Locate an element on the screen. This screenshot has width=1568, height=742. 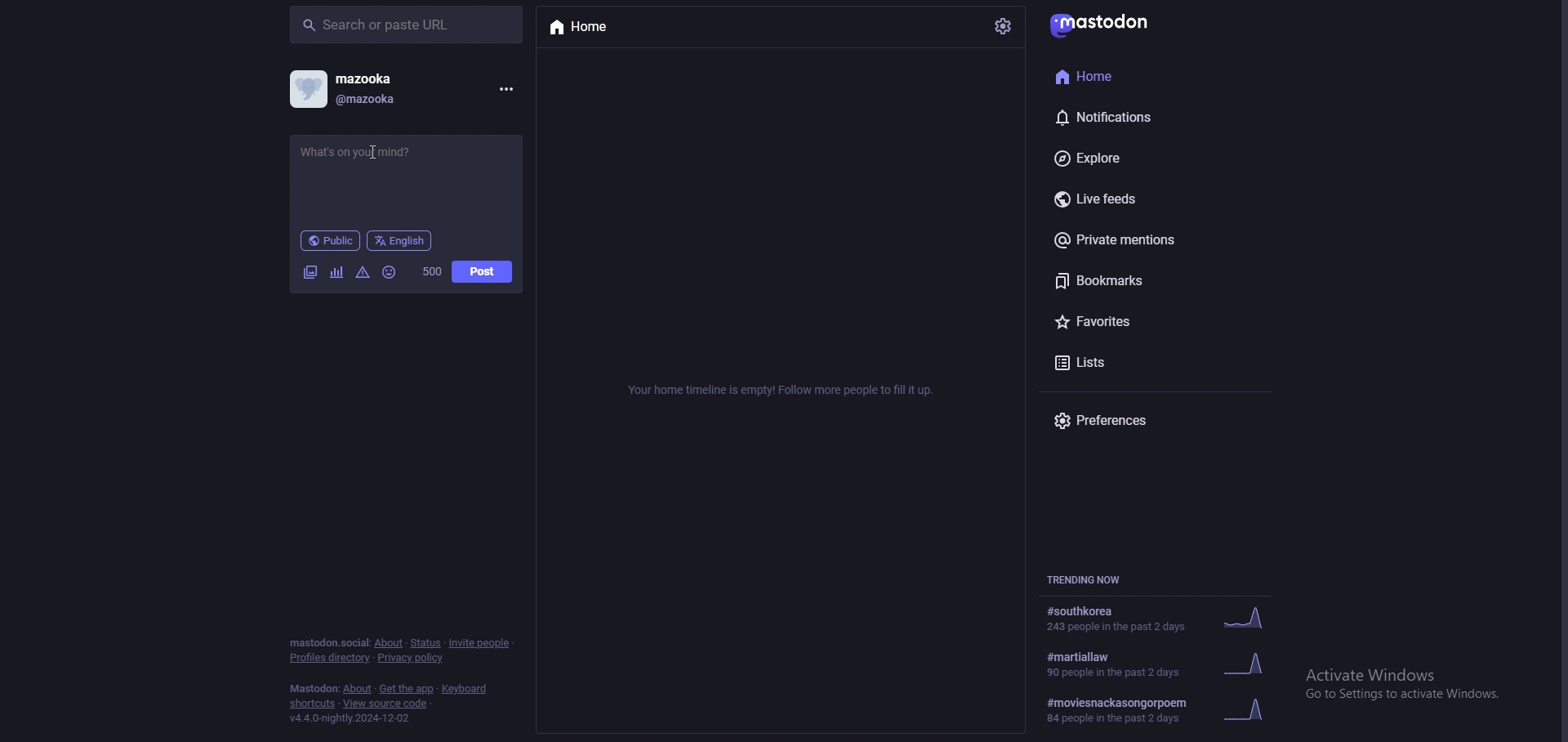
notifications is located at coordinates (1127, 118).